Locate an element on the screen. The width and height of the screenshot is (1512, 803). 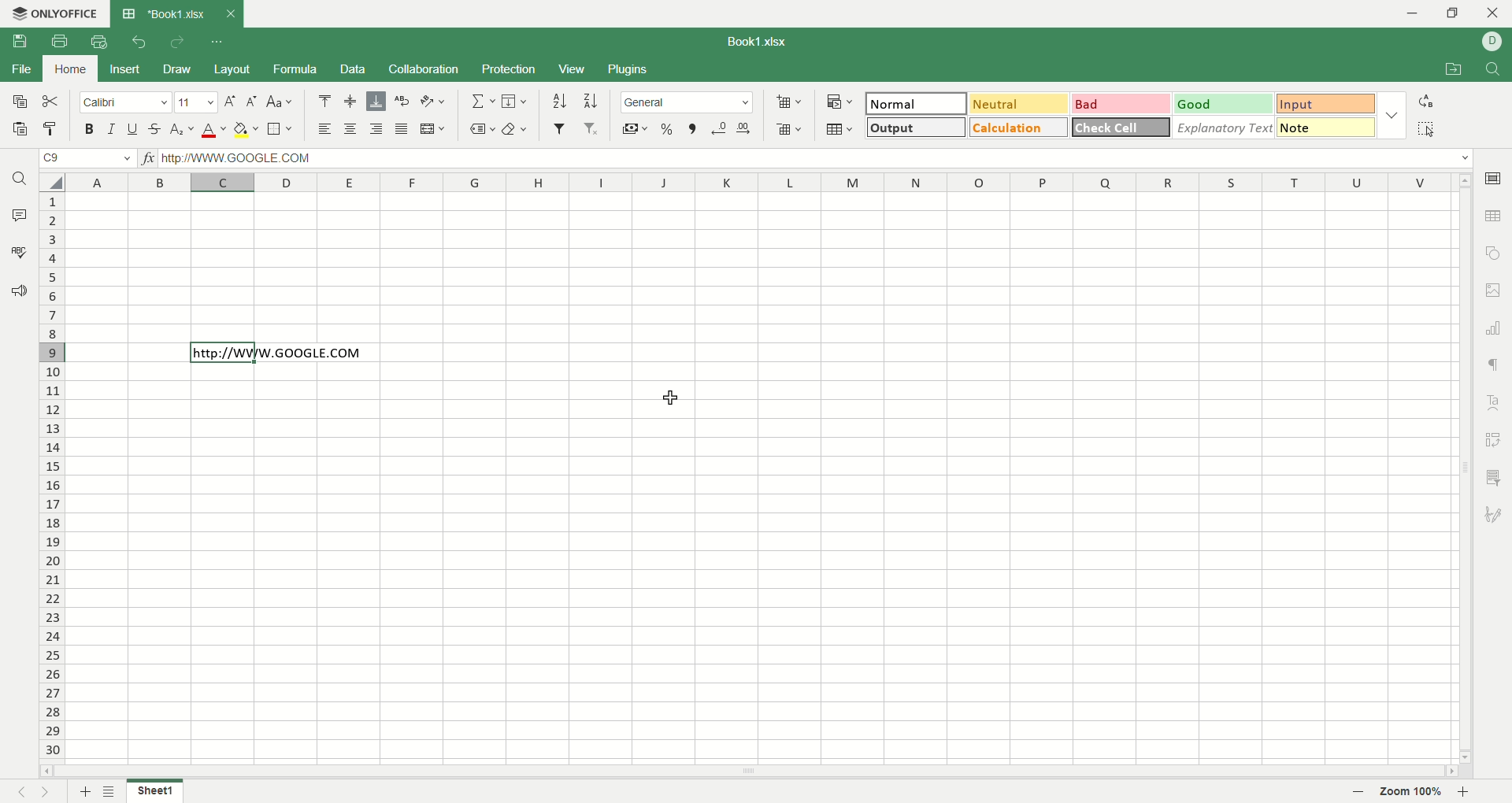
orientation is located at coordinates (431, 101).